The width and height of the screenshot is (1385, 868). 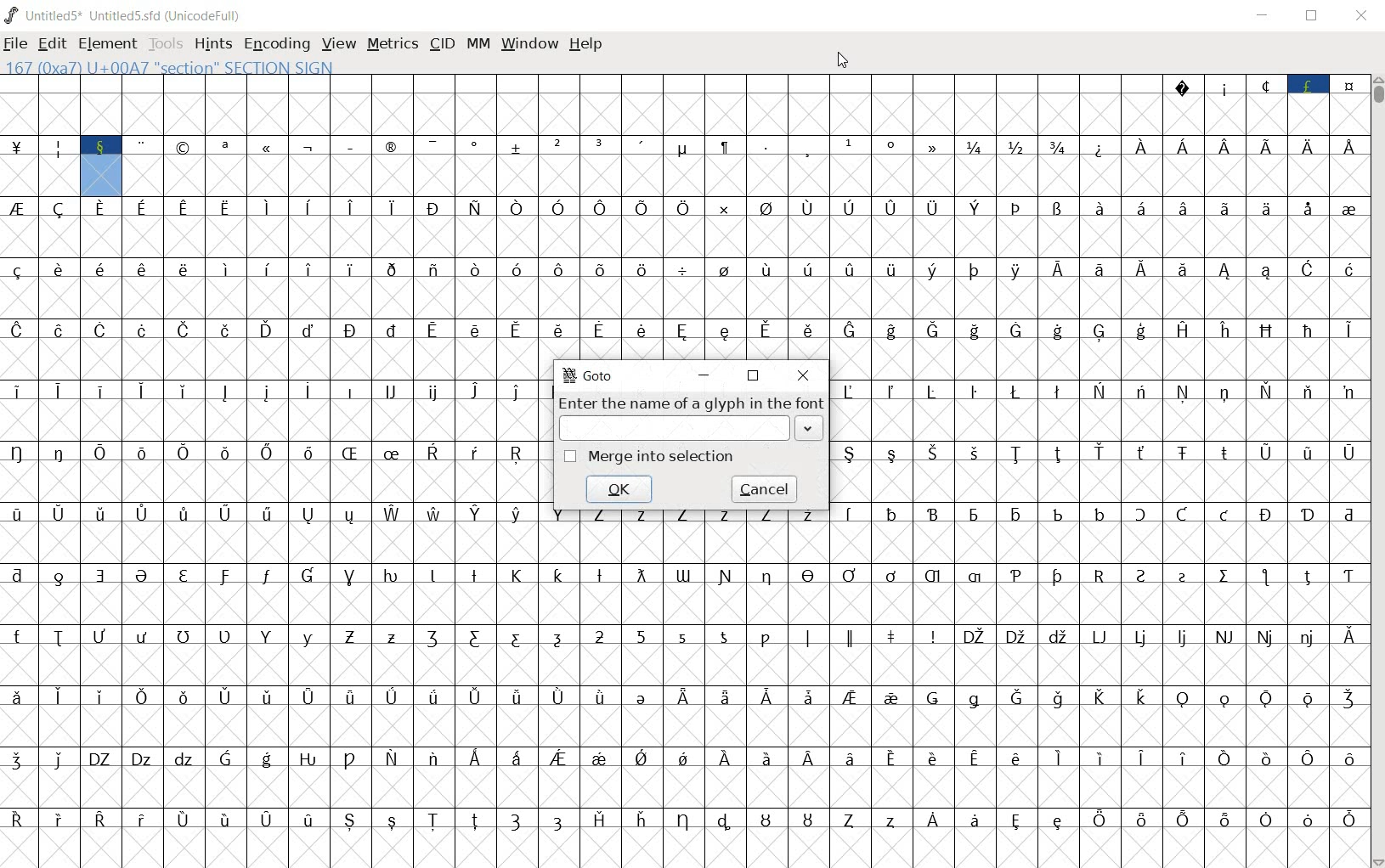 I want to click on , so click(x=82, y=839).